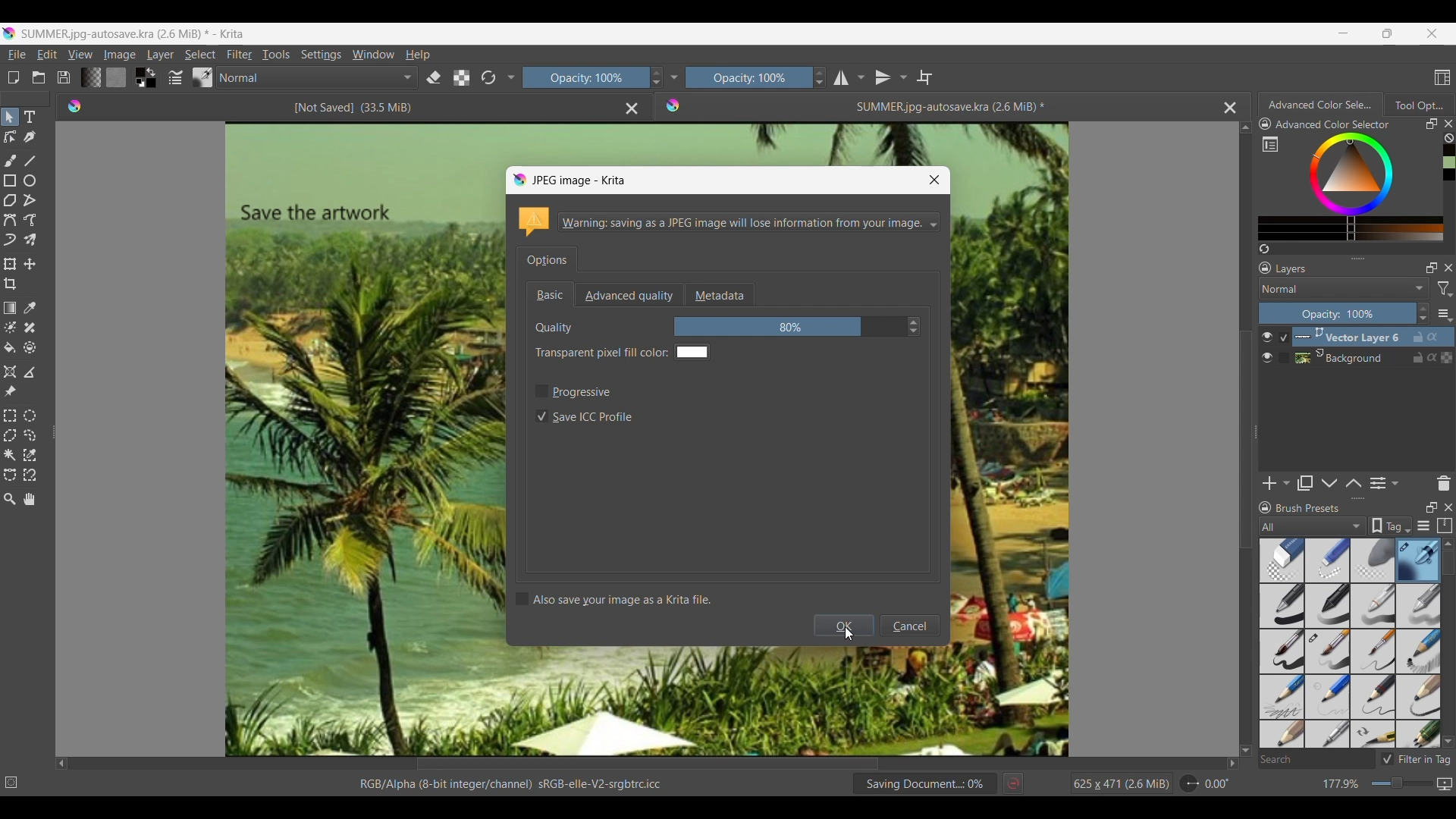 The height and width of the screenshot is (819, 1456). I want to click on Color range for selection, so click(1360, 187).